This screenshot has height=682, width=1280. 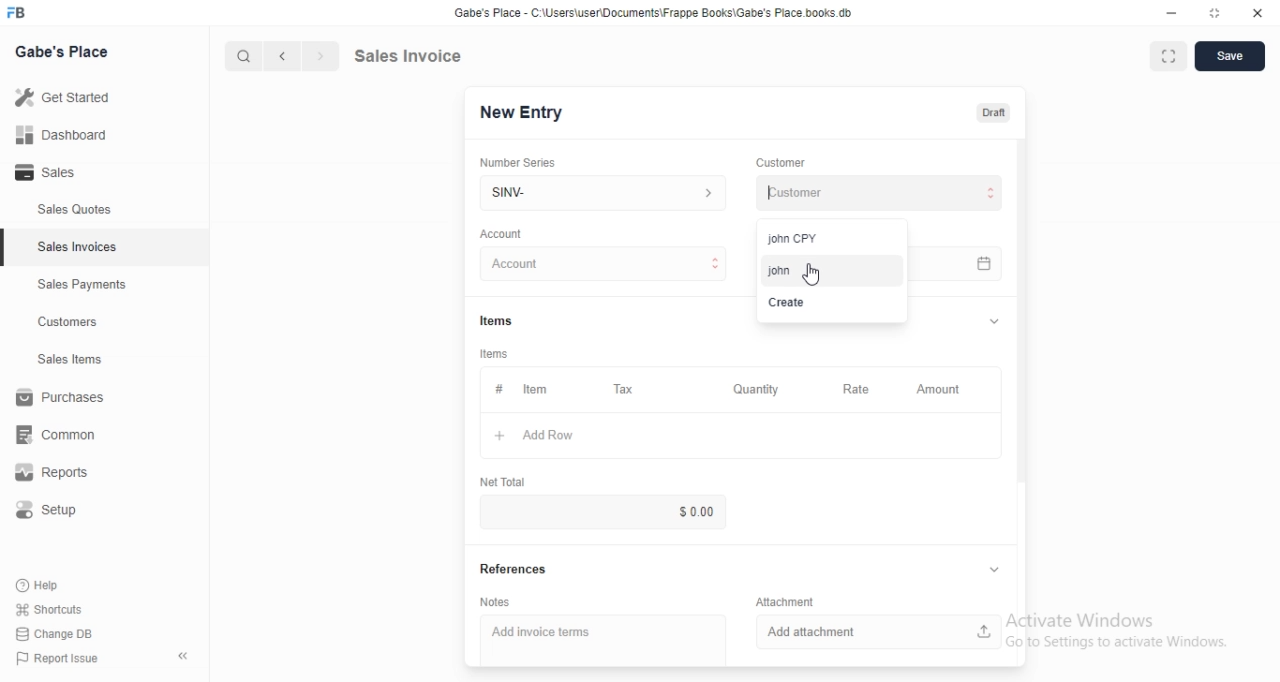 What do you see at coordinates (811, 274) in the screenshot?
I see `cursor` at bounding box center [811, 274].